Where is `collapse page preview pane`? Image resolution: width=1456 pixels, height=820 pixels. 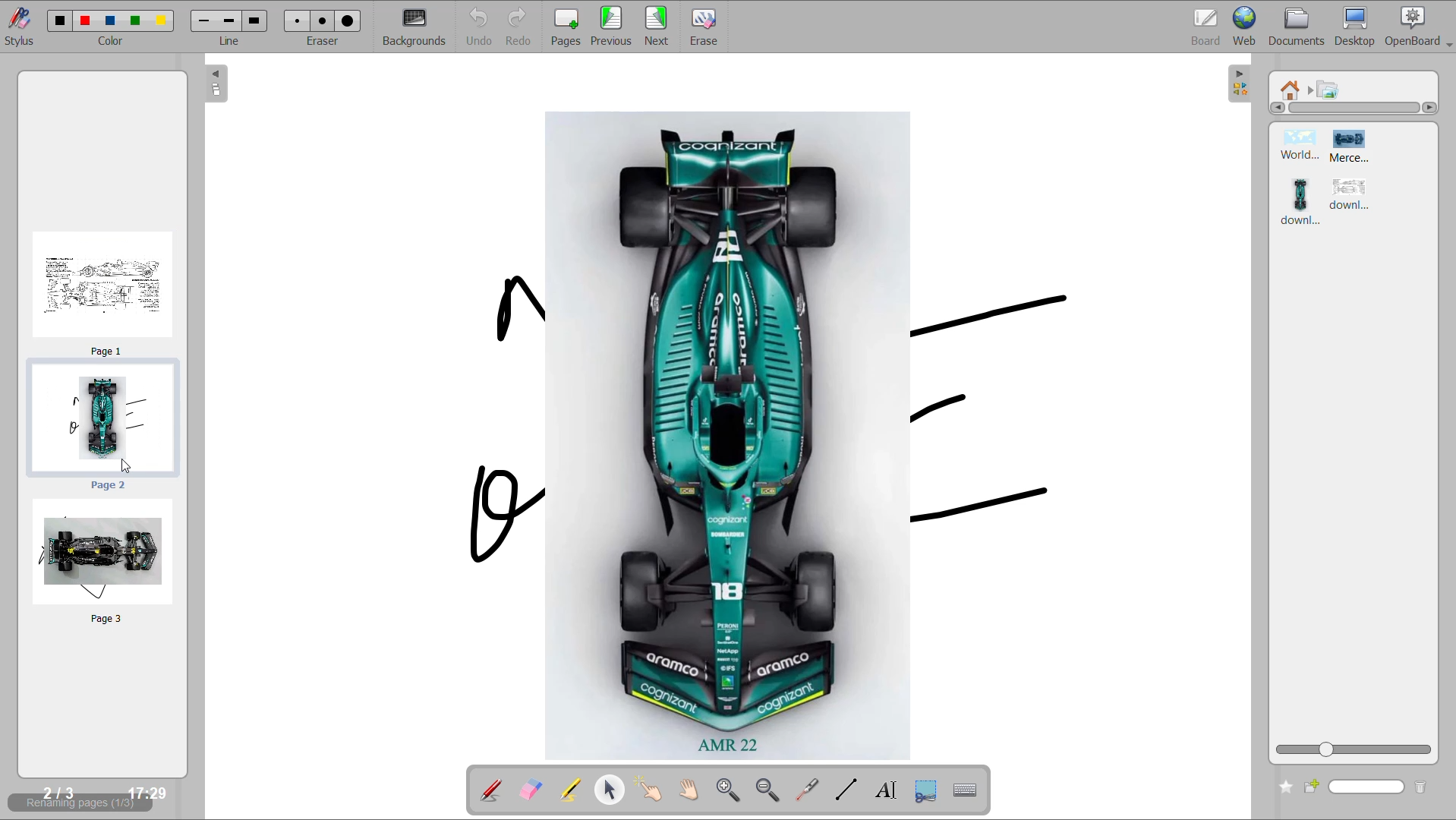 collapse page preview pane is located at coordinates (216, 85).